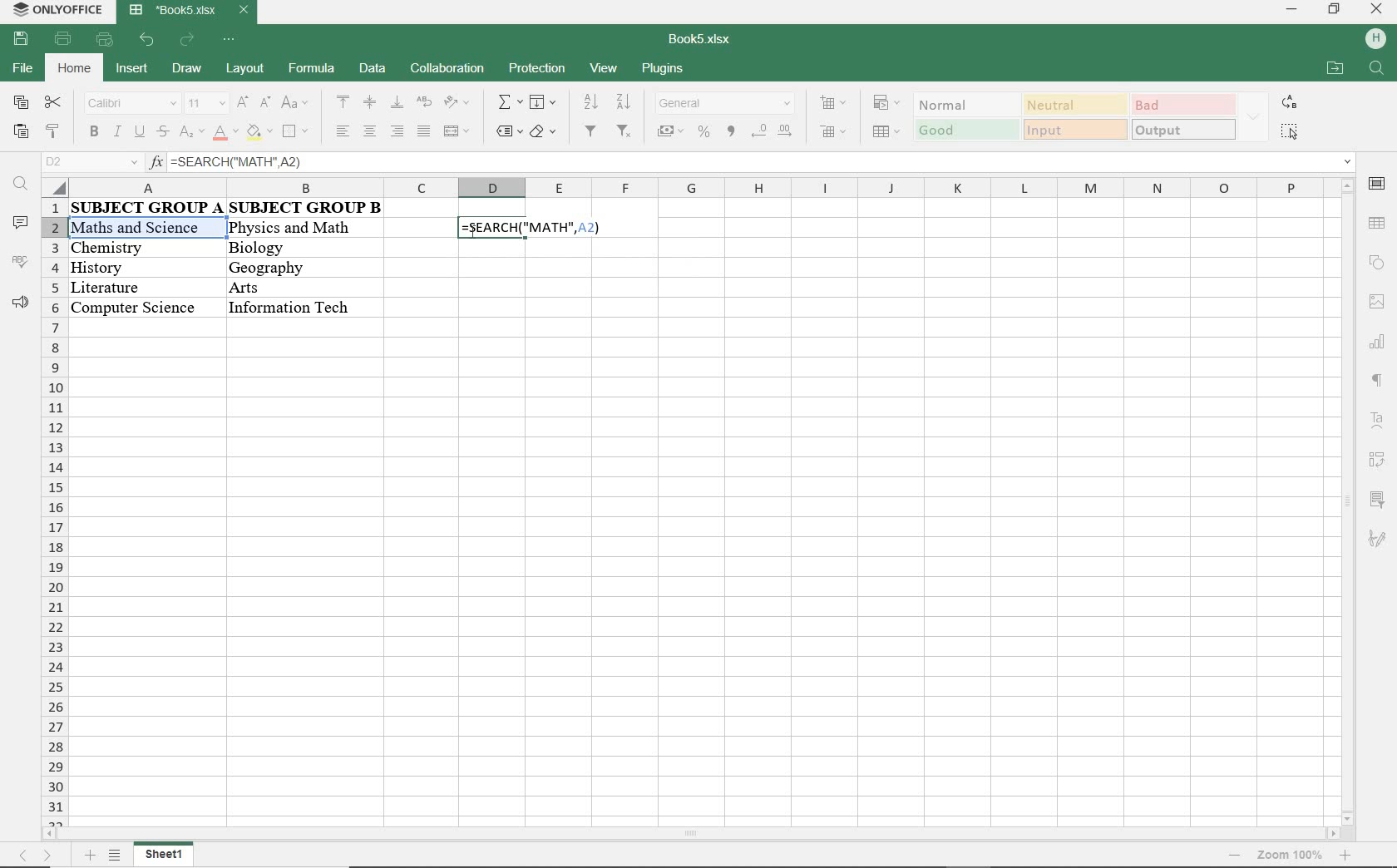  What do you see at coordinates (1376, 305) in the screenshot?
I see `sign` at bounding box center [1376, 305].